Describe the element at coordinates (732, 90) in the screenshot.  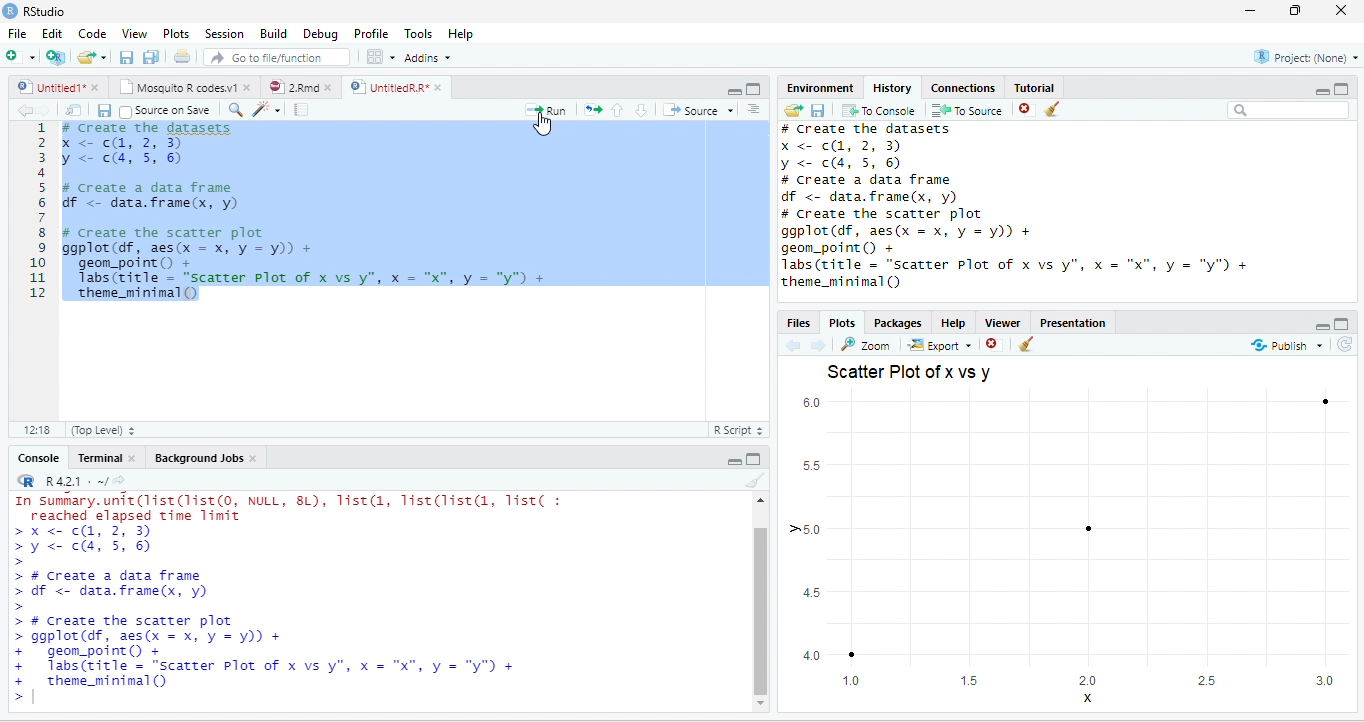
I see `Minimize` at that location.